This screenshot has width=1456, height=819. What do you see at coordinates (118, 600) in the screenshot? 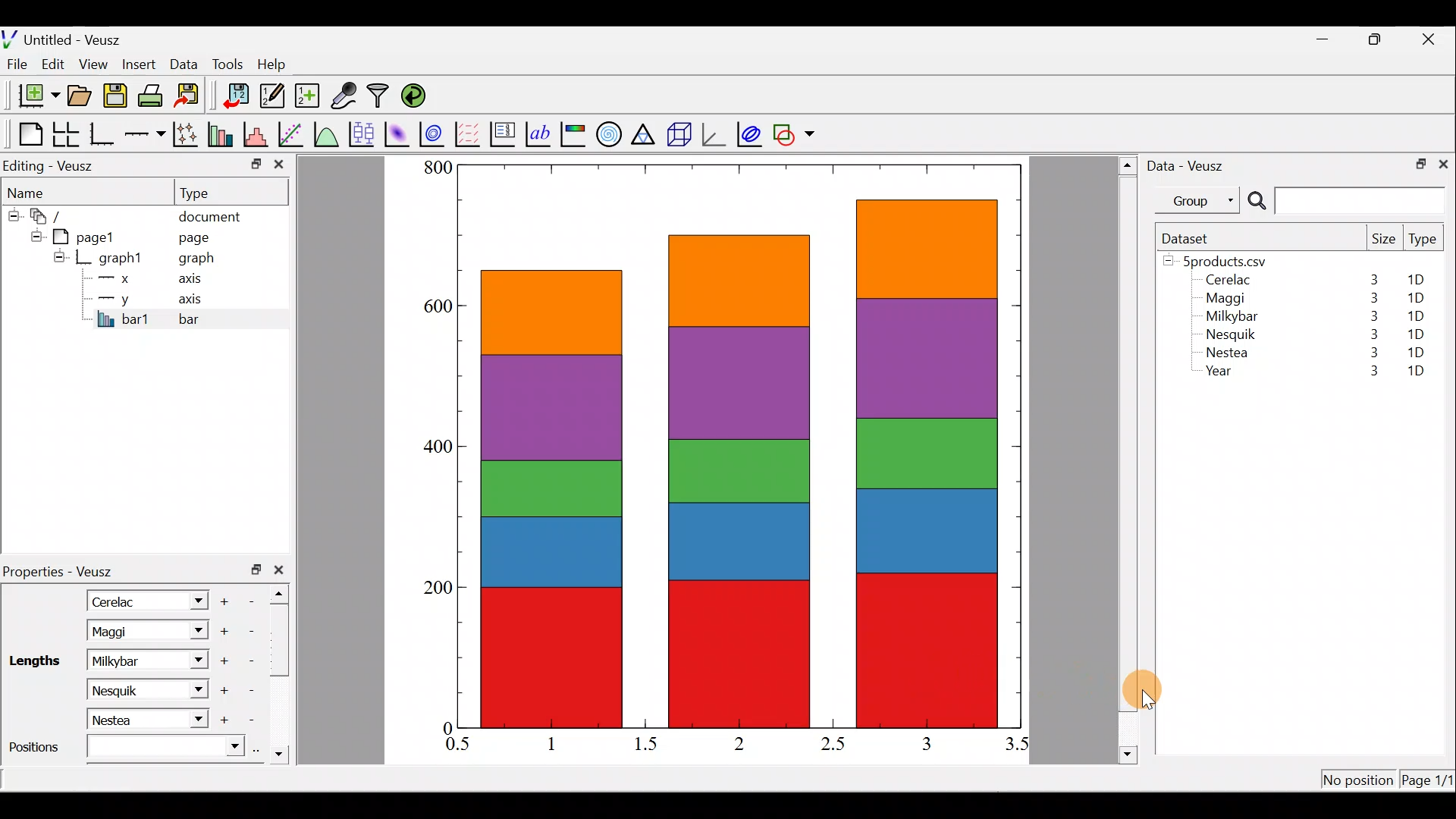
I see `Cerelac` at bounding box center [118, 600].